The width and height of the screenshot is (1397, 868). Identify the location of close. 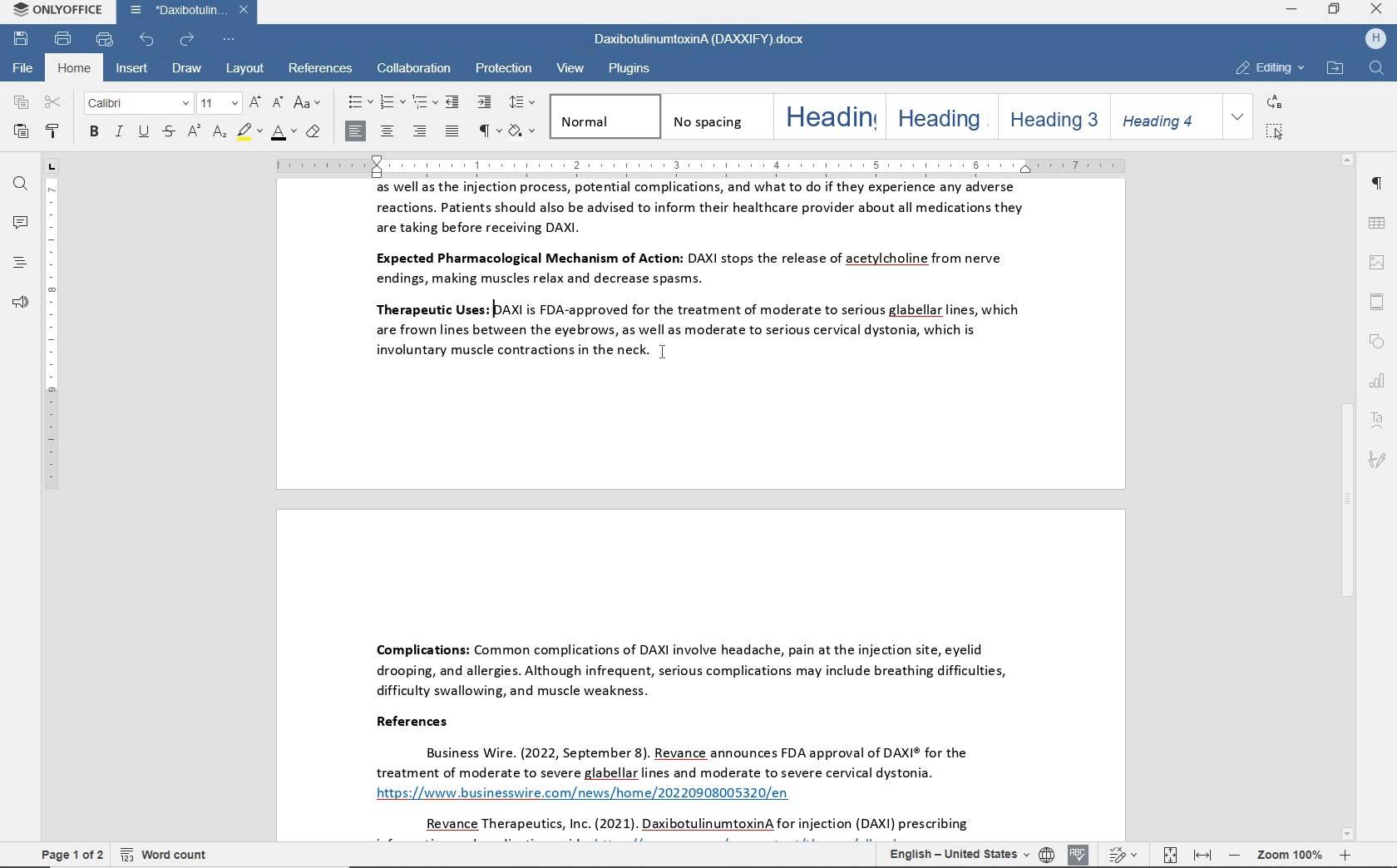
(1378, 9).